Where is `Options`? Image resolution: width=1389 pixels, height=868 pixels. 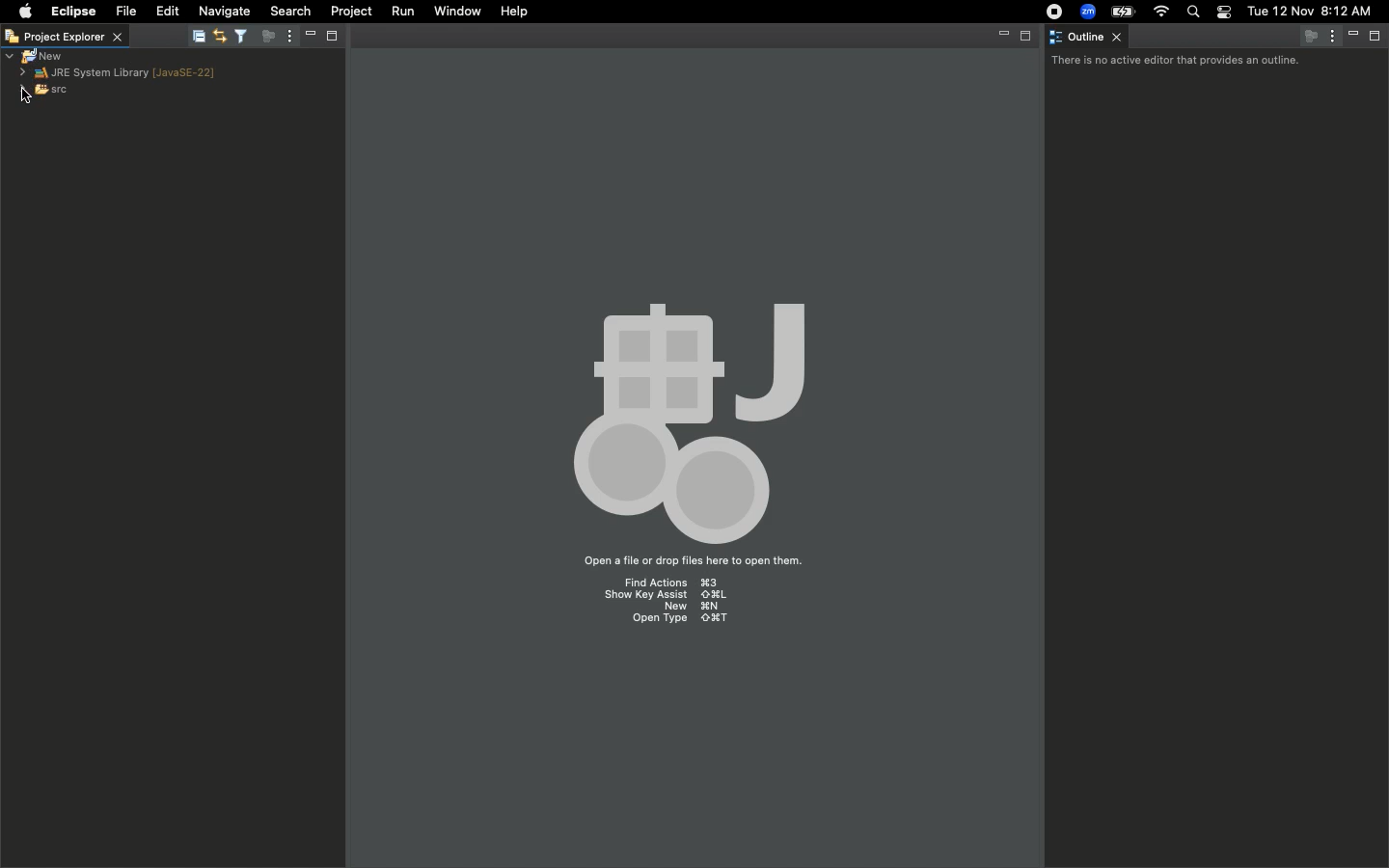 Options is located at coordinates (286, 38).